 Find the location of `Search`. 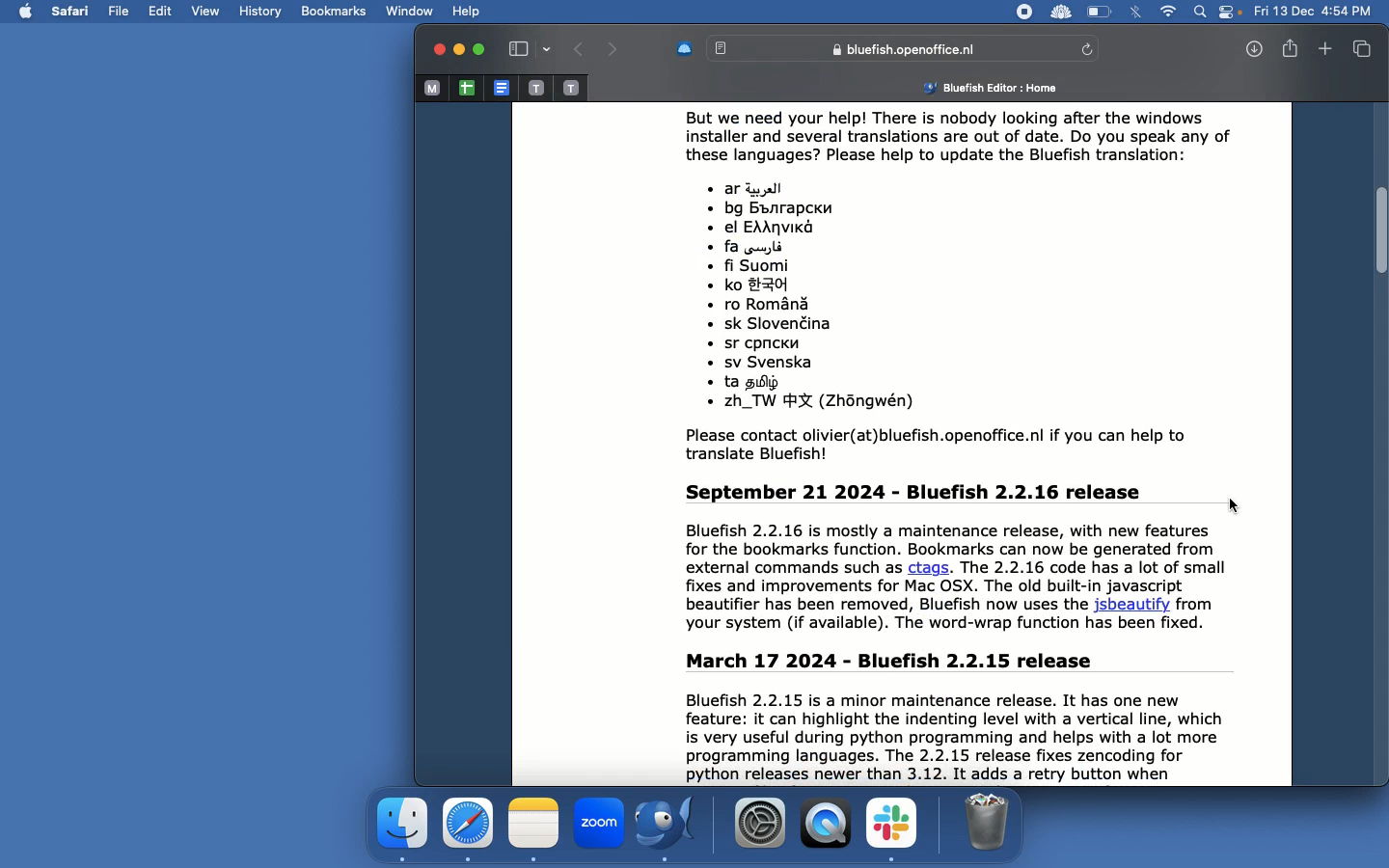

Search is located at coordinates (1201, 11).